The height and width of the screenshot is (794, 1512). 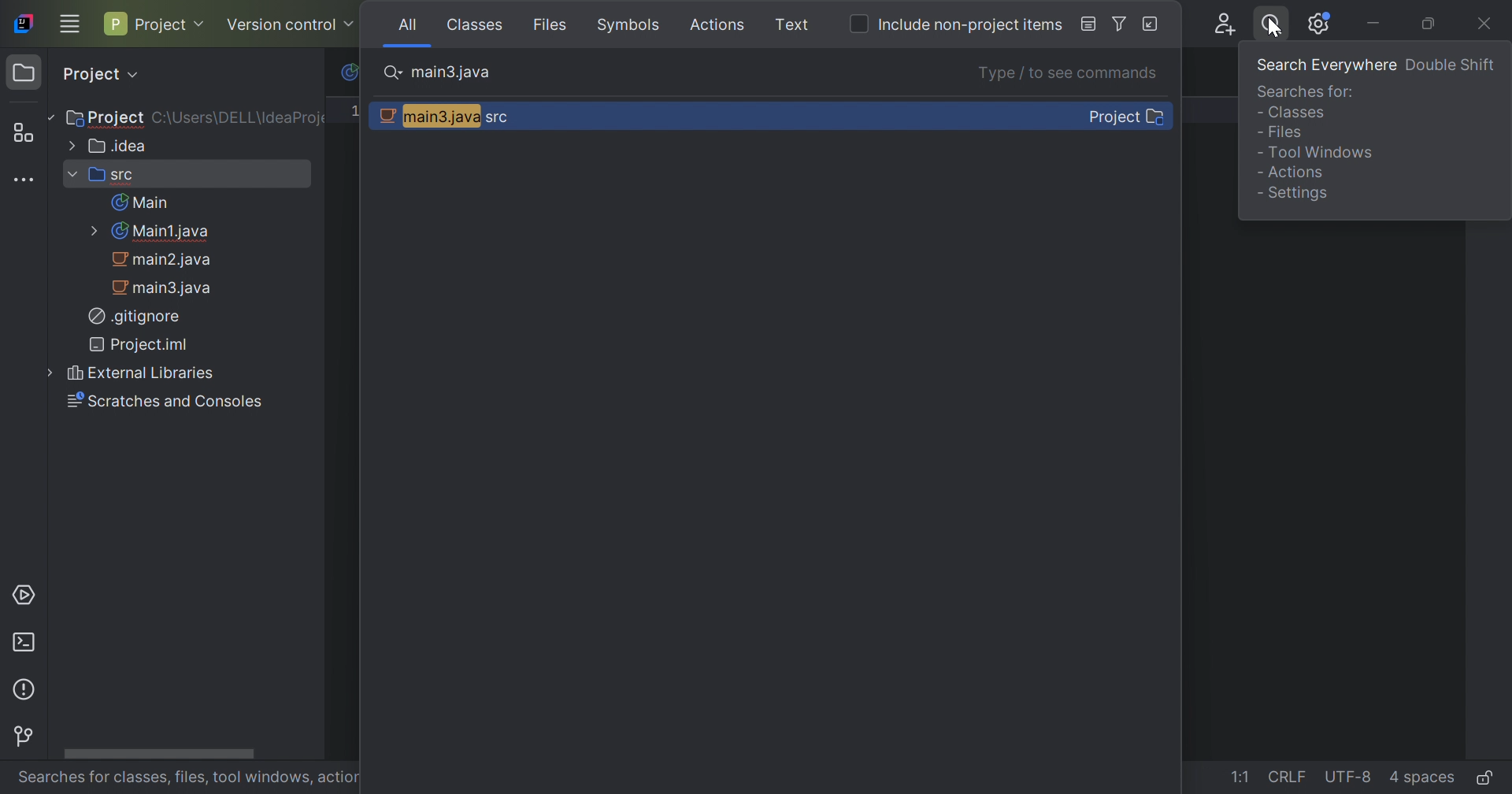 What do you see at coordinates (149, 232) in the screenshot?
I see `Main1.java` at bounding box center [149, 232].